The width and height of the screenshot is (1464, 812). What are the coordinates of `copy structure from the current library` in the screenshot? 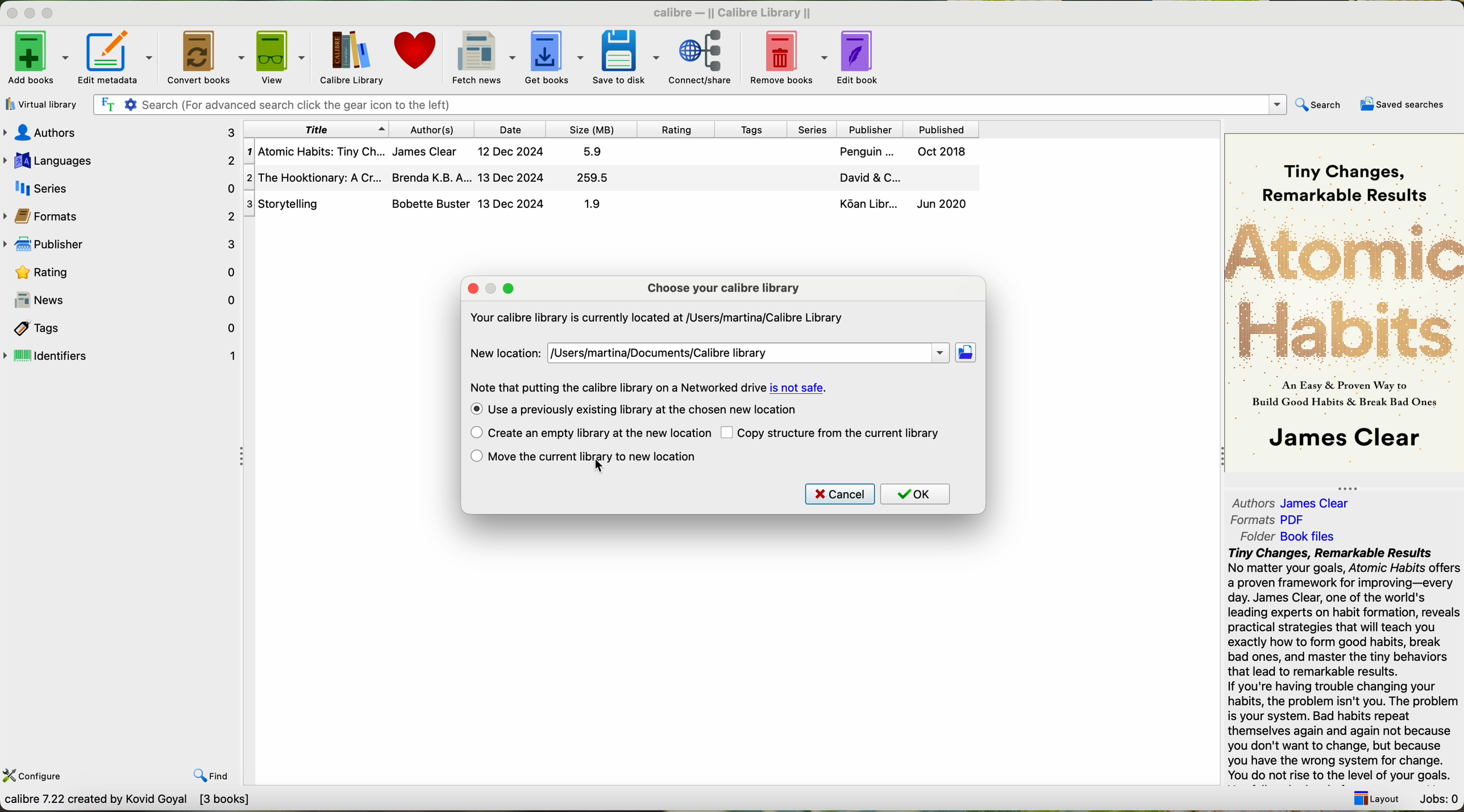 It's located at (843, 434).